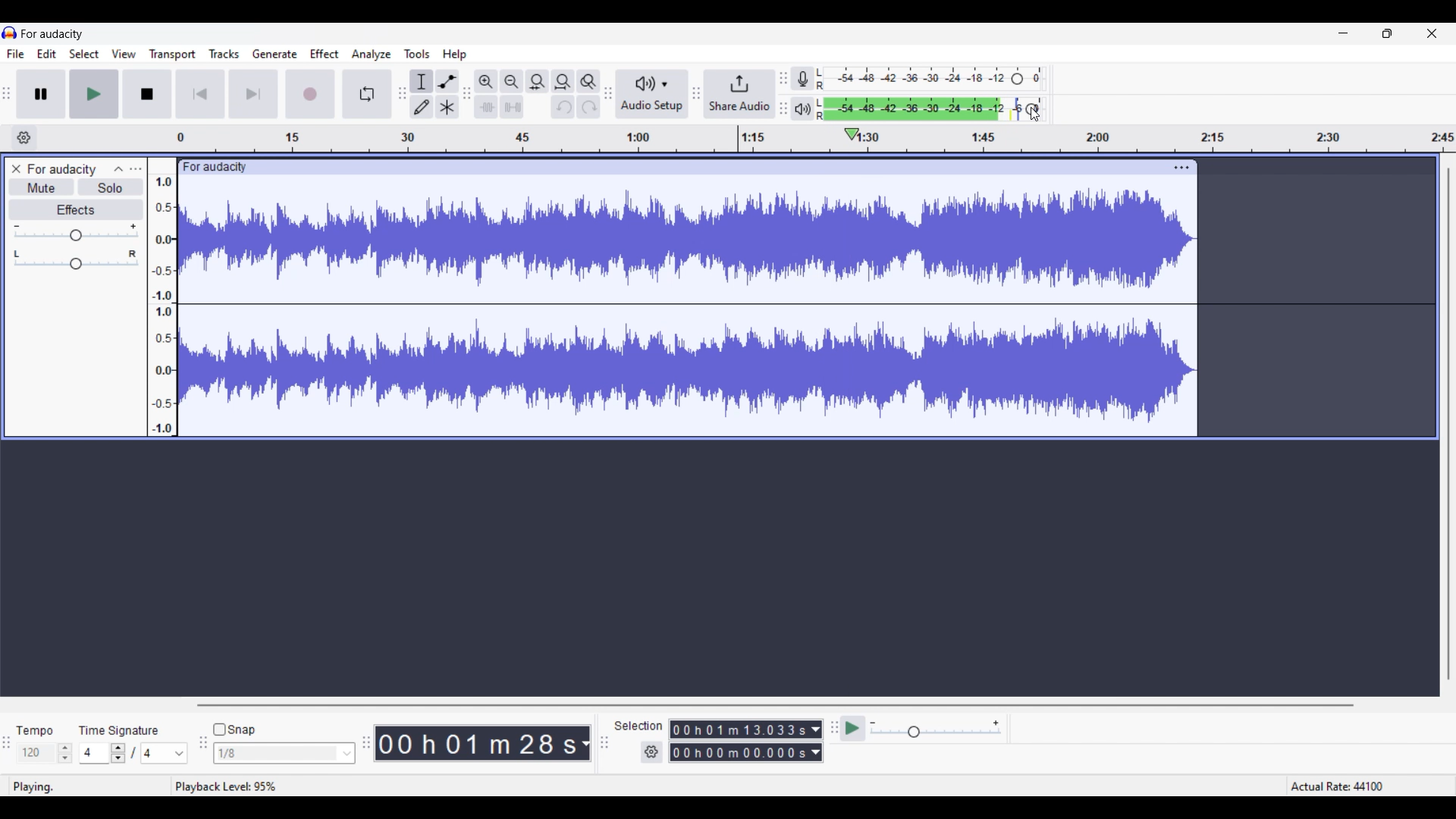 The image size is (1456, 819). What do you see at coordinates (562, 107) in the screenshot?
I see `Undo` at bounding box center [562, 107].